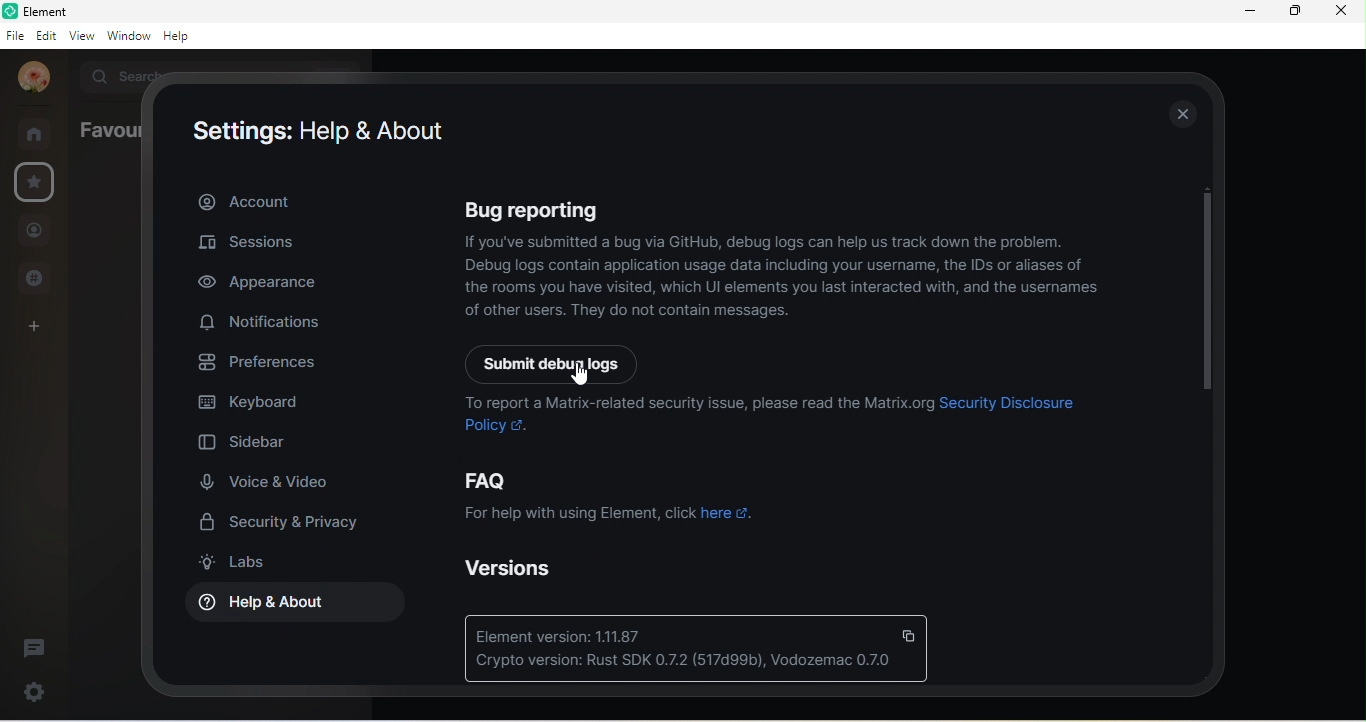 The width and height of the screenshot is (1366, 722). What do you see at coordinates (783, 289) in the screenshot?
I see `the rooms you have visited, which UI elements you last interacted with, and the usernames` at bounding box center [783, 289].